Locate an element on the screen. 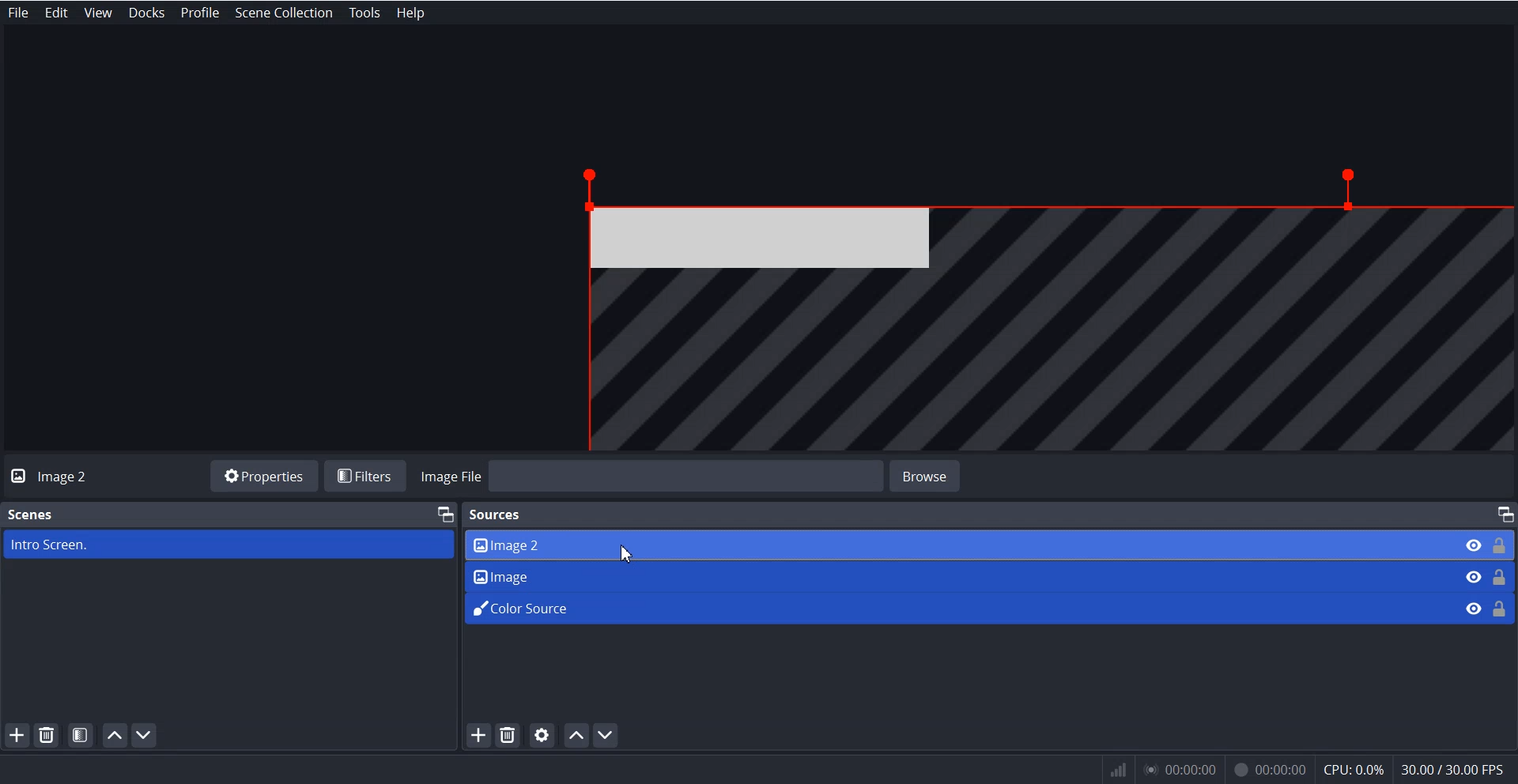 The height and width of the screenshot is (784, 1518). Move Scene Up is located at coordinates (115, 735).